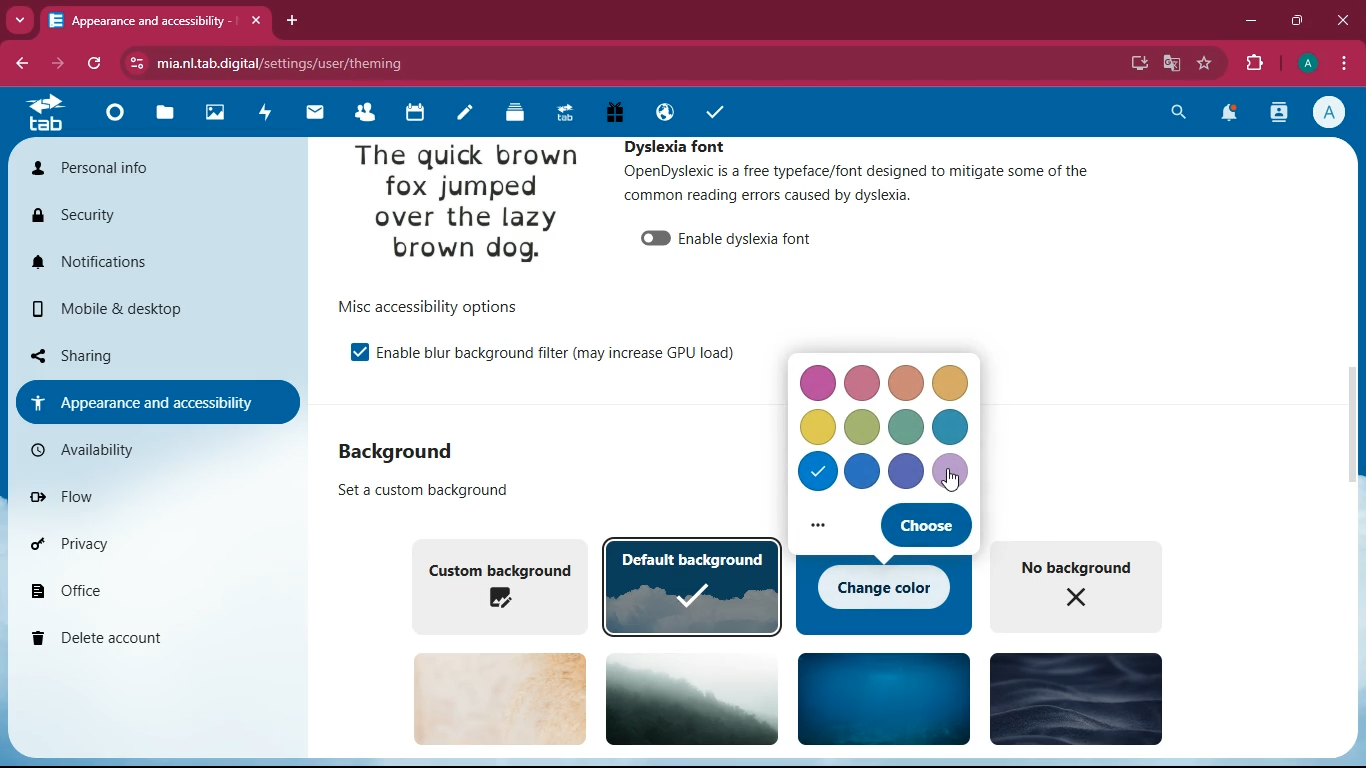 The width and height of the screenshot is (1366, 768). I want to click on choose, so click(925, 526).